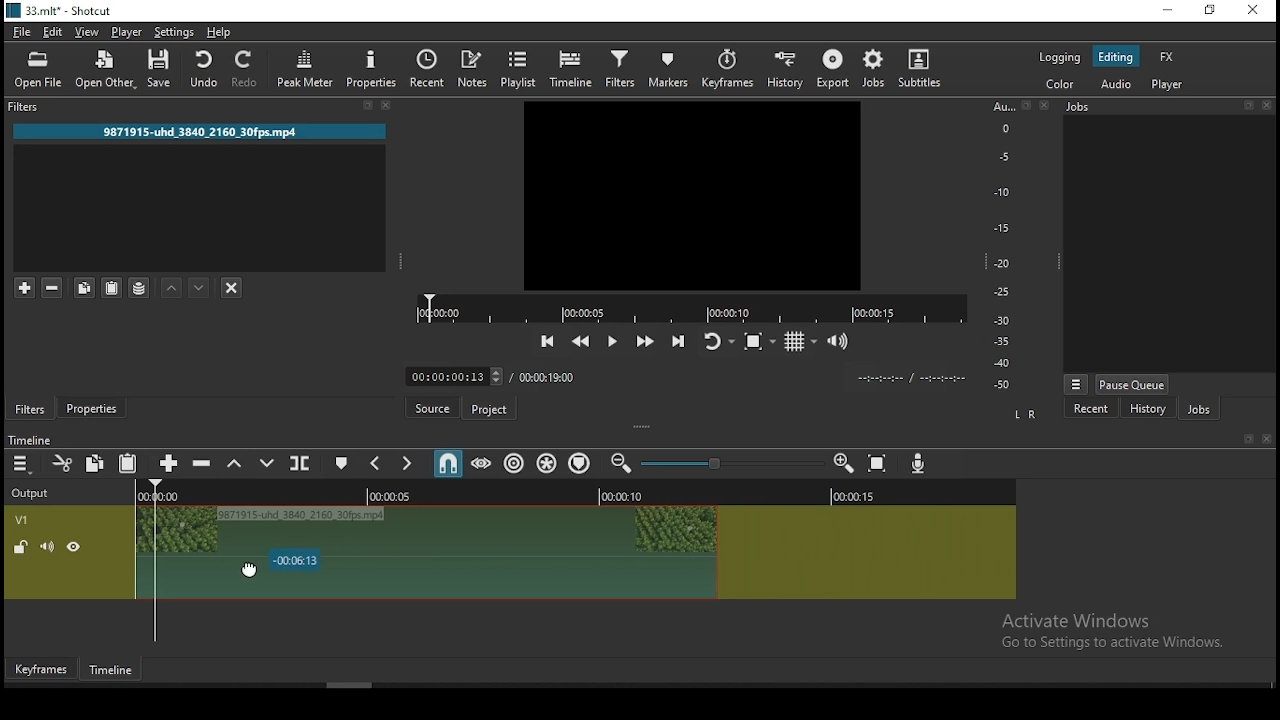 The height and width of the screenshot is (720, 1280). Describe the element at coordinates (22, 463) in the screenshot. I see `menu` at that location.